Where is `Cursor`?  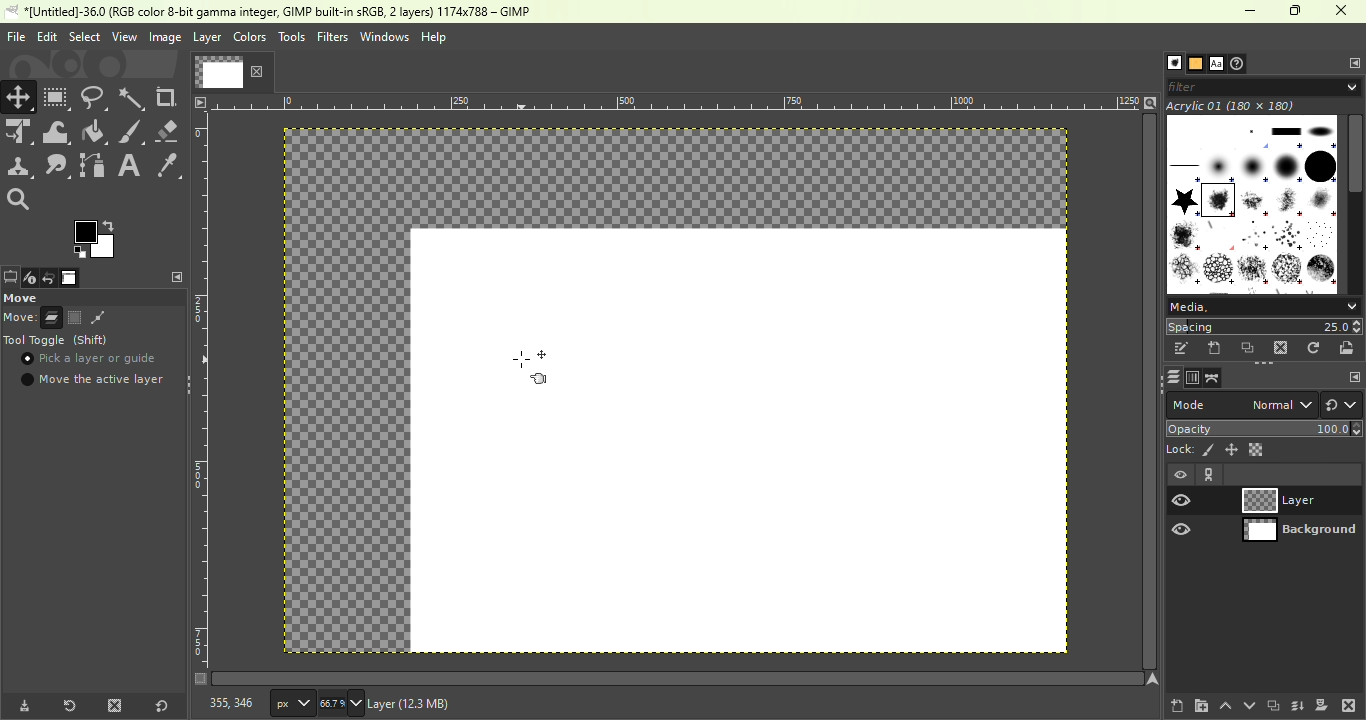
Cursor is located at coordinates (29, 361).